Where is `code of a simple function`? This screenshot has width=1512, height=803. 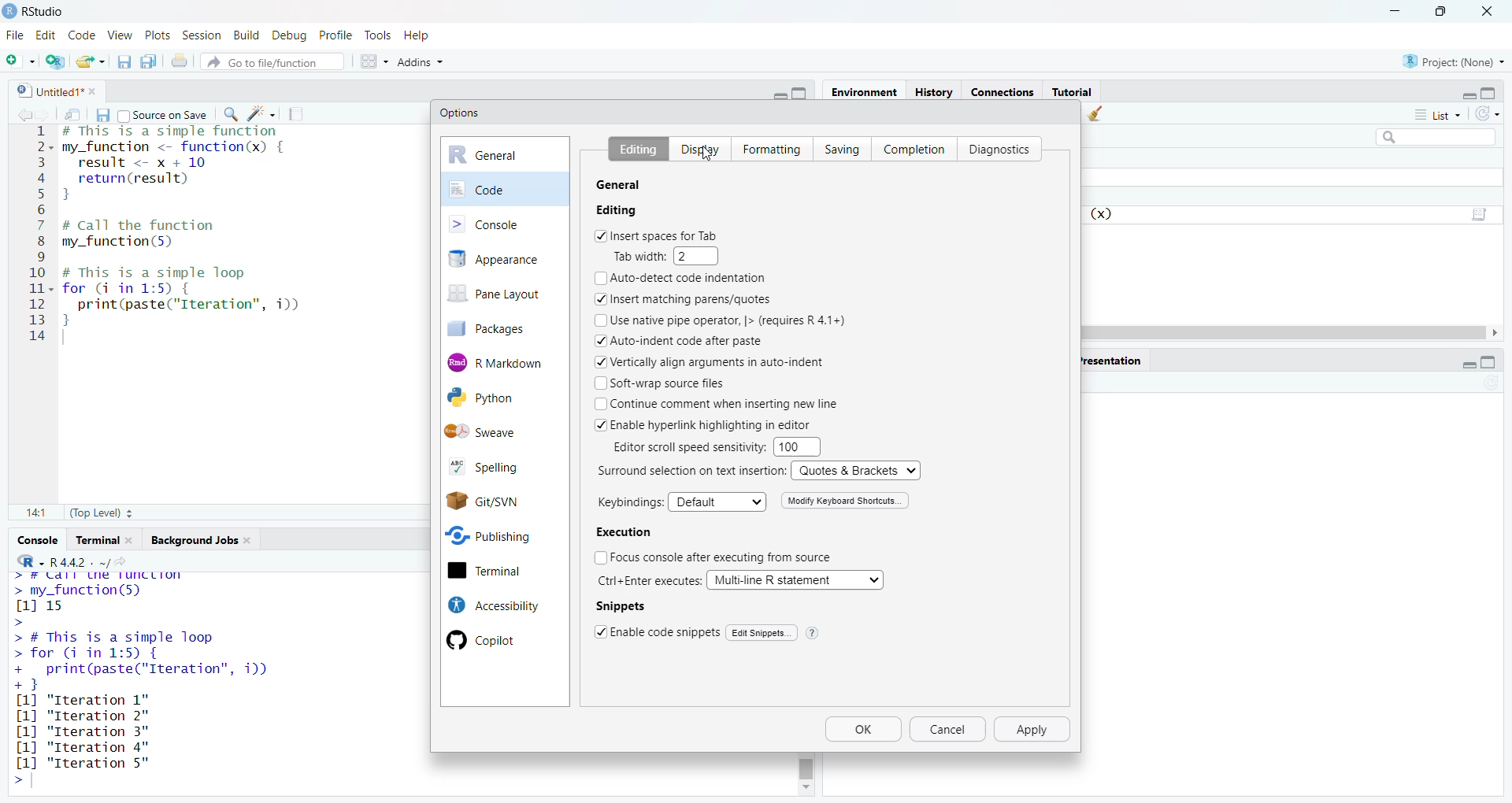
code of a simple function is located at coordinates (195, 165).